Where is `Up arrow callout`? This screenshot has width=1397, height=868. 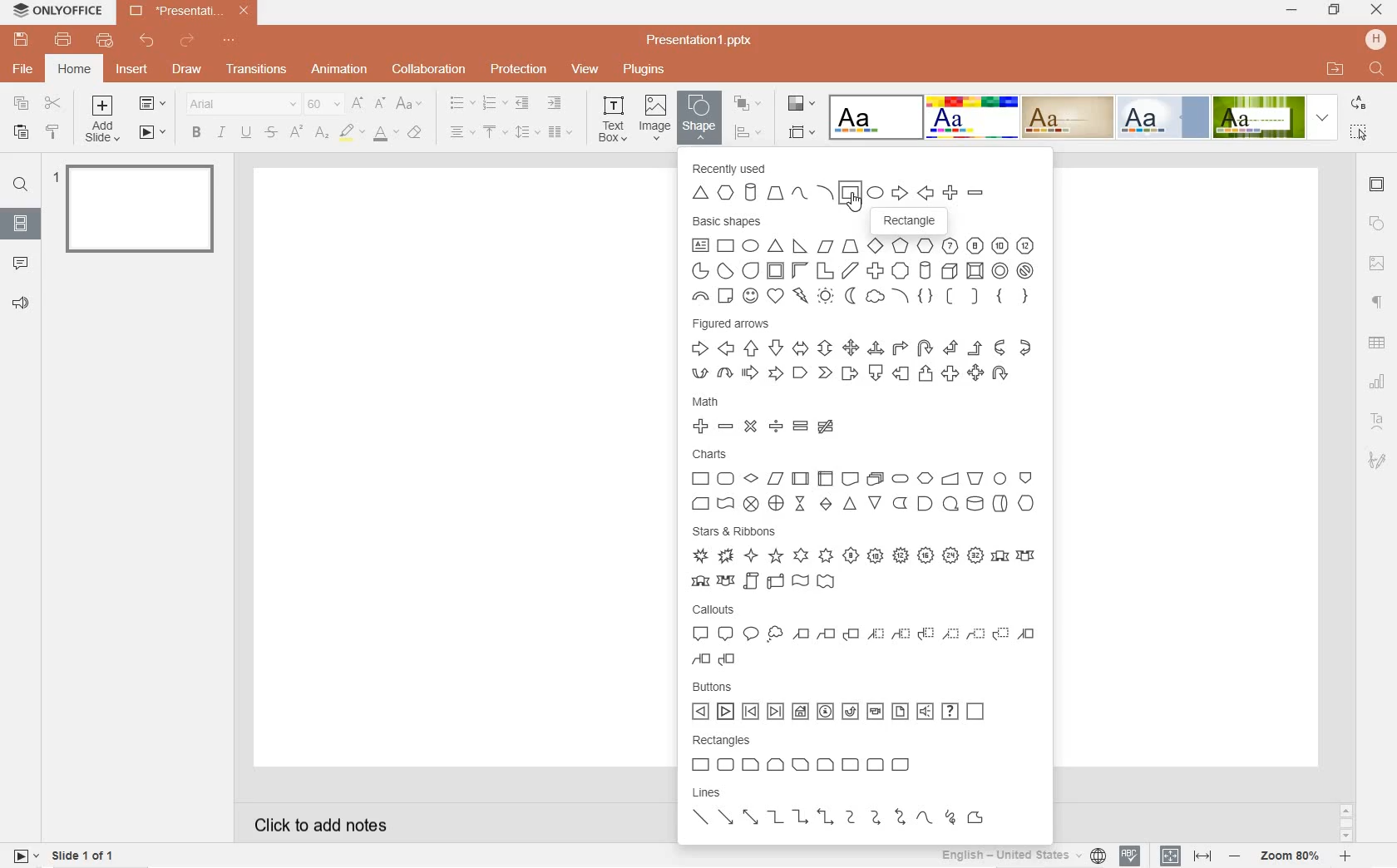 Up arrow callout is located at coordinates (926, 374).